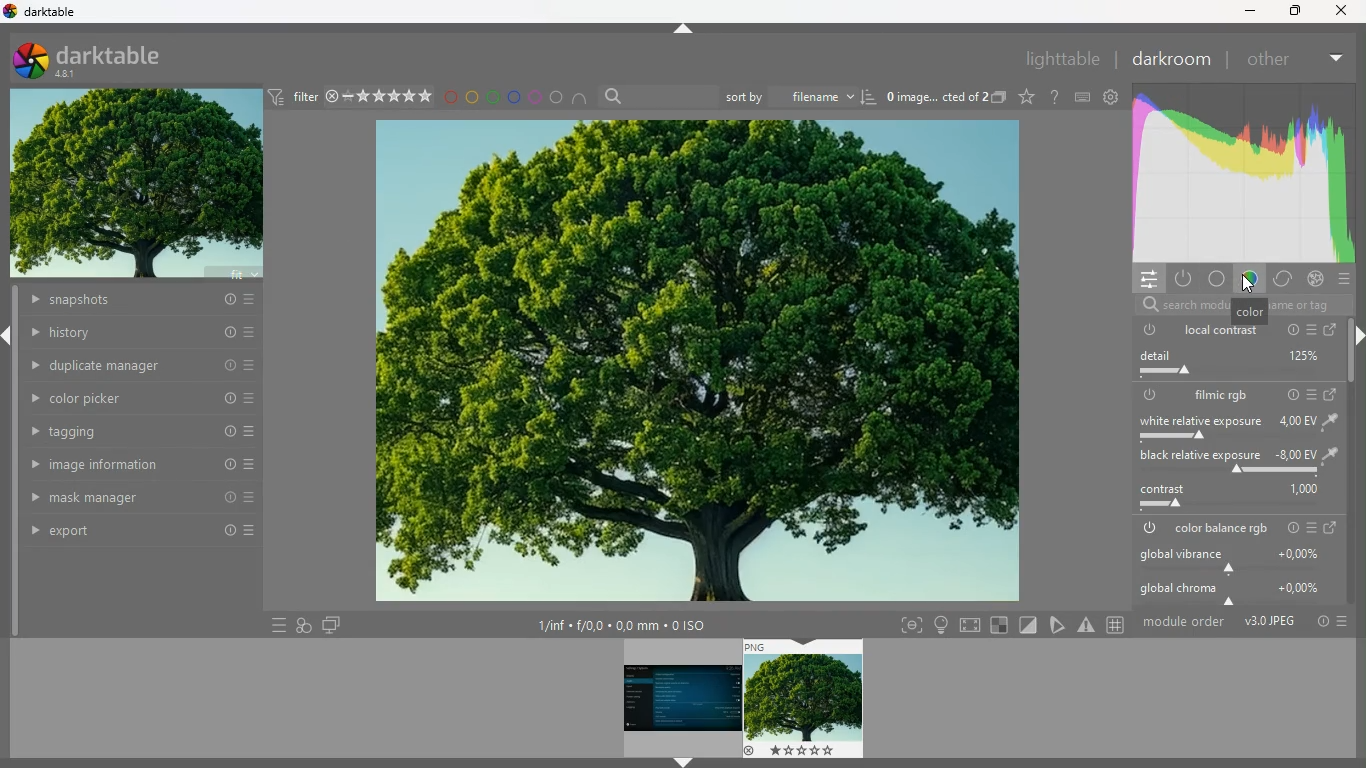 Image resolution: width=1366 pixels, height=768 pixels. I want to click on darktable, so click(46, 13).